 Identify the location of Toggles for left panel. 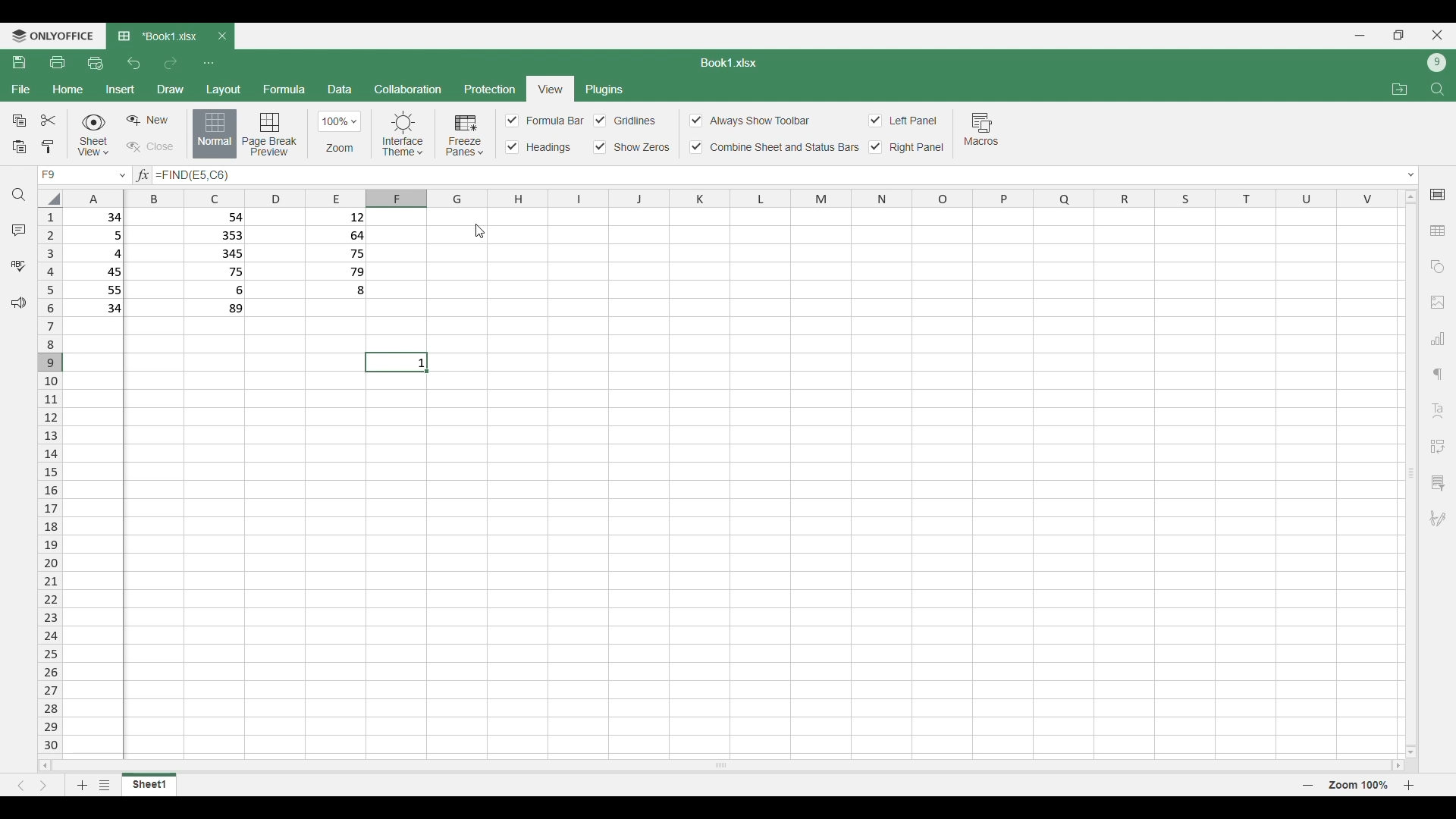
(903, 121).